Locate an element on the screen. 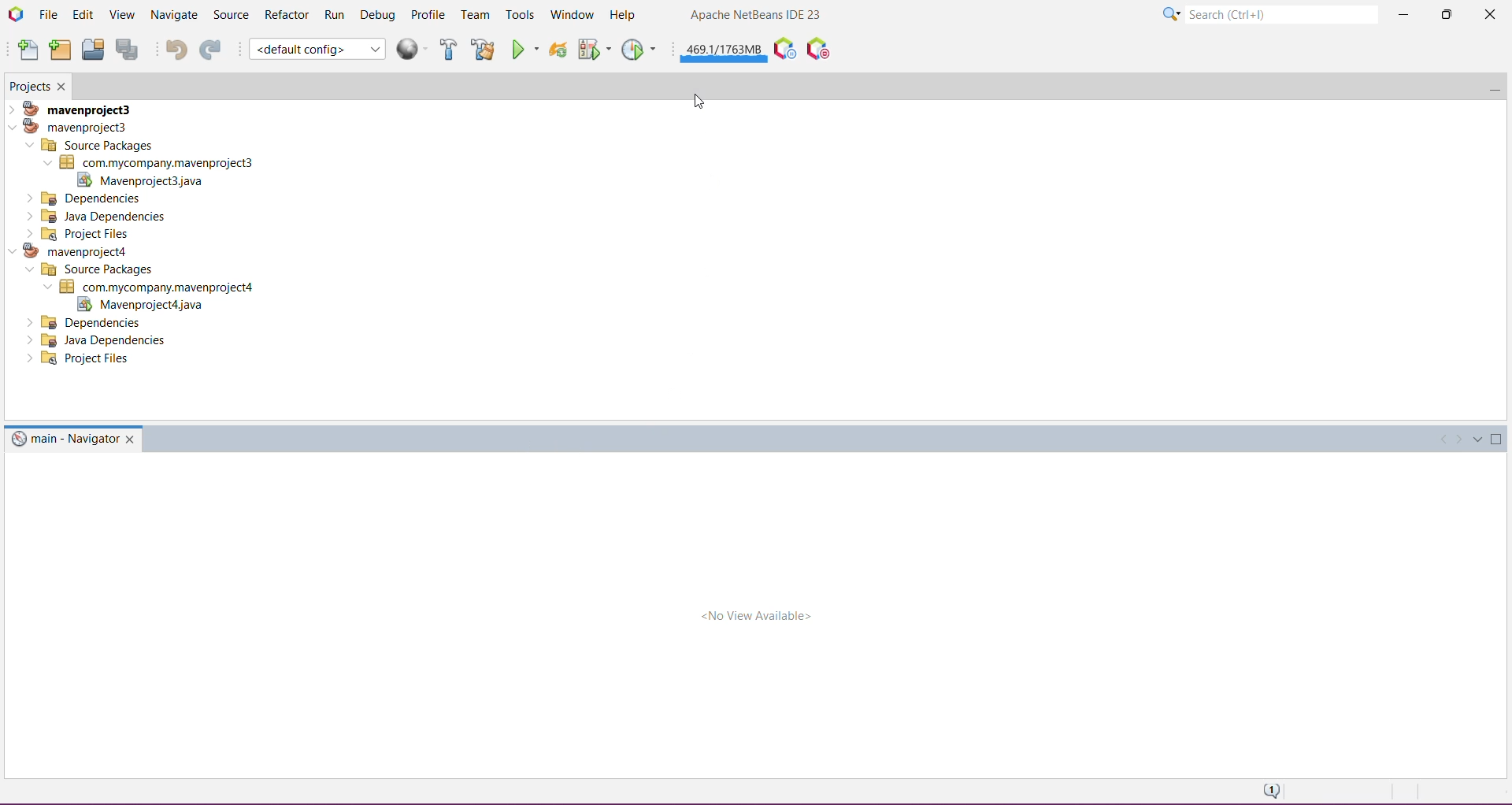  Redo is located at coordinates (210, 49).